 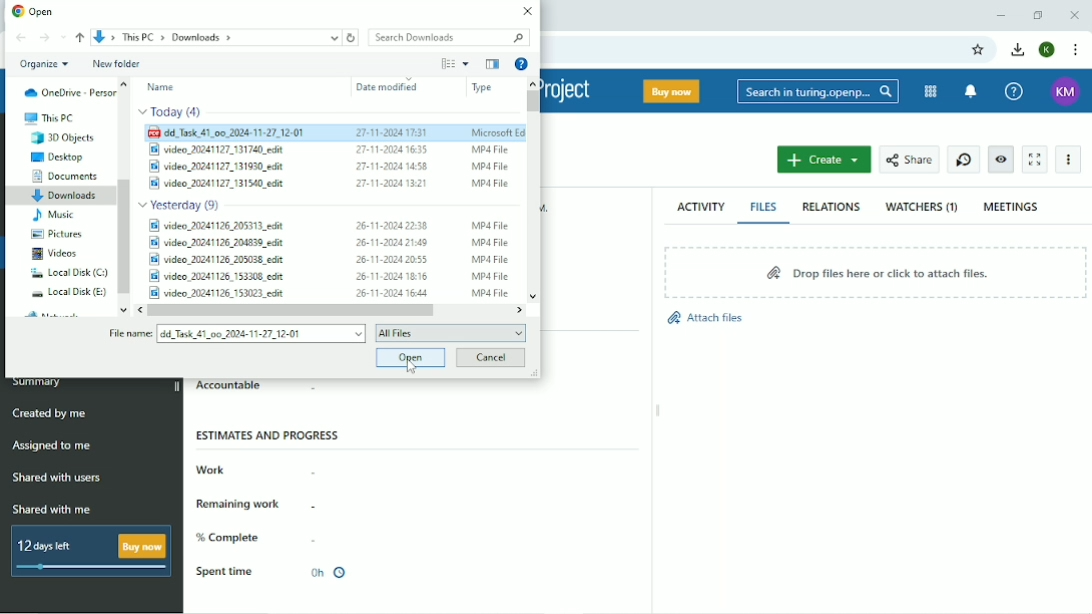 I want to click on Attach files, so click(x=704, y=323).